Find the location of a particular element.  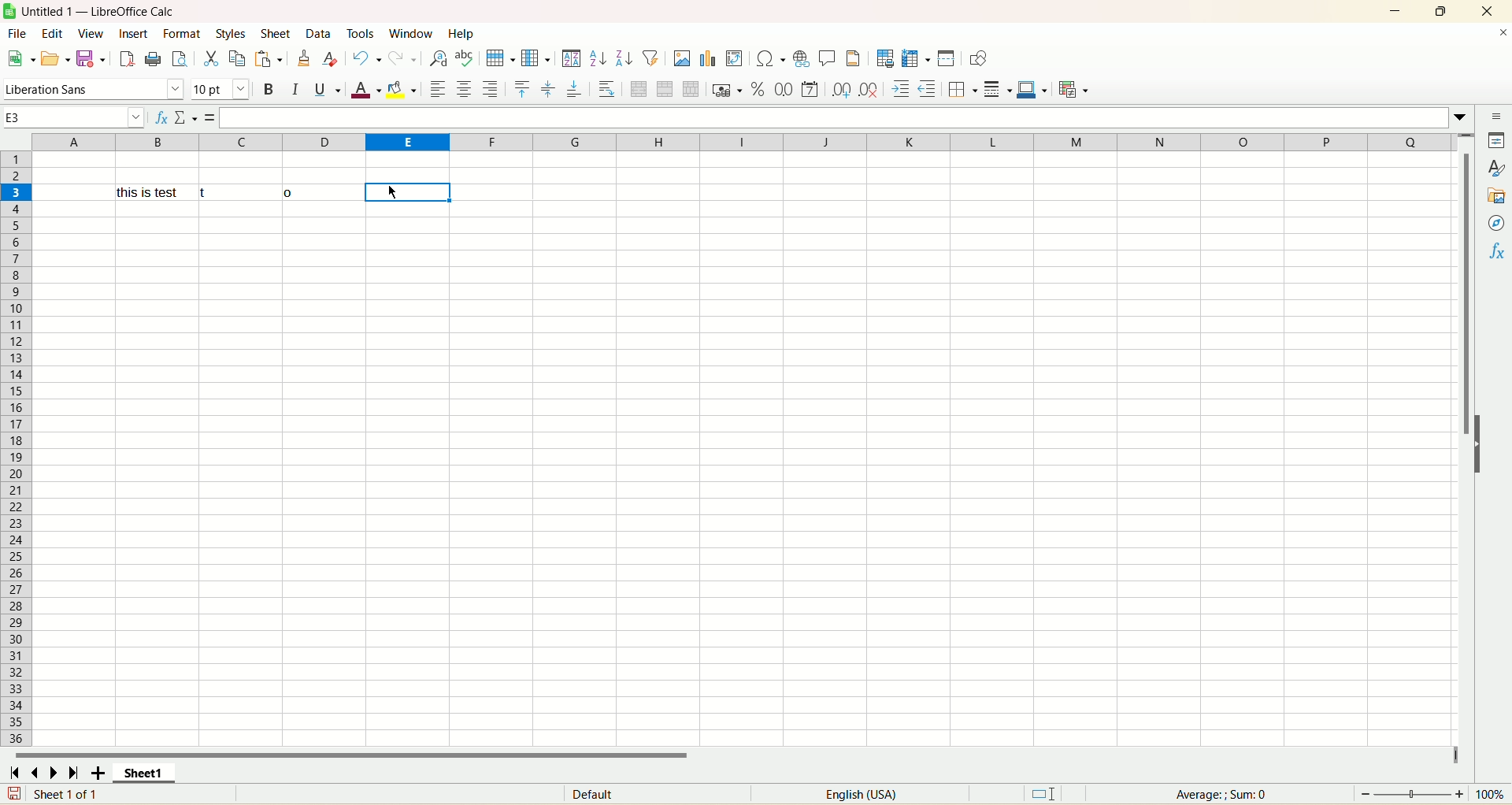

save is located at coordinates (88, 57).